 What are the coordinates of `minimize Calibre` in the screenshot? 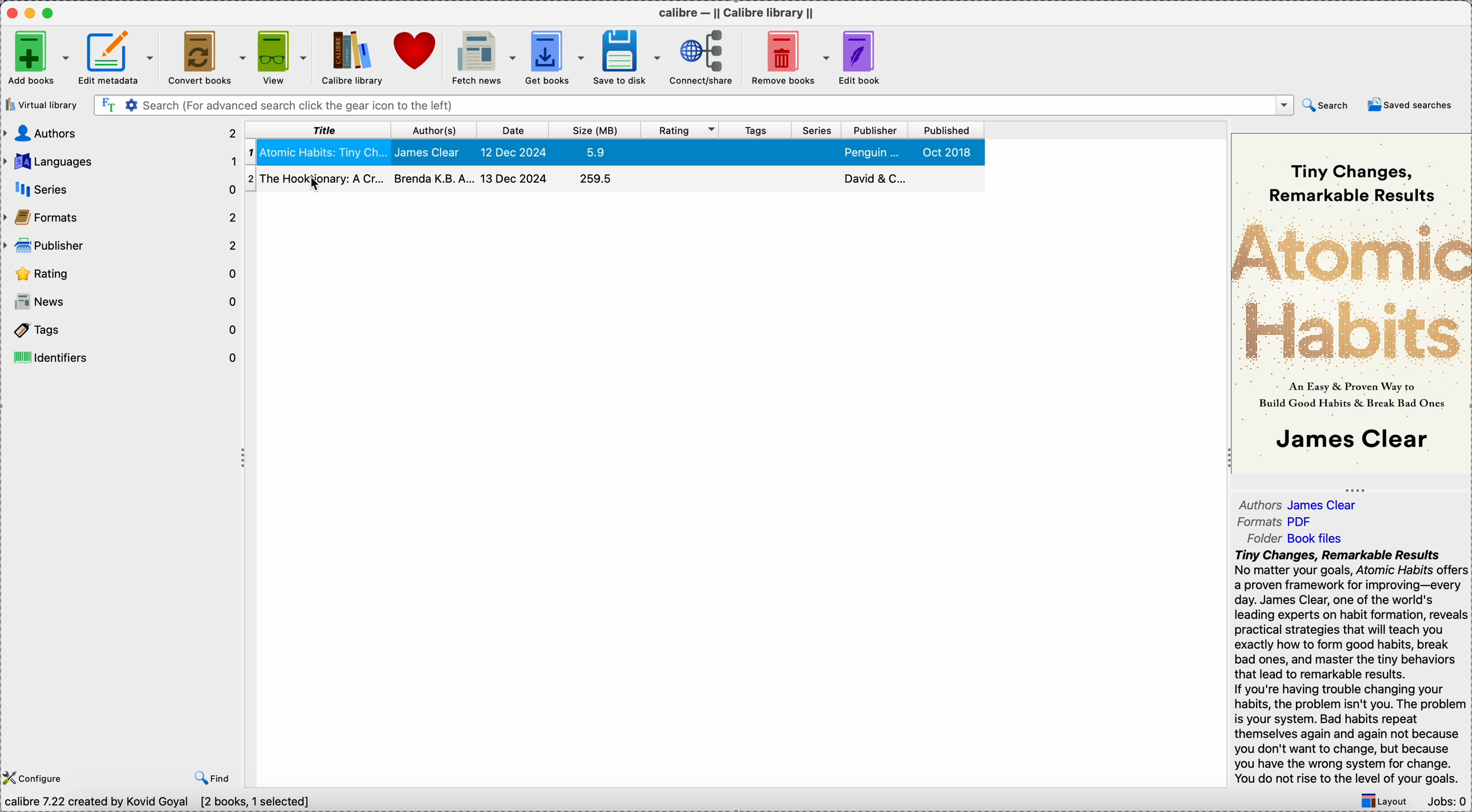 It's located at (32, 13).